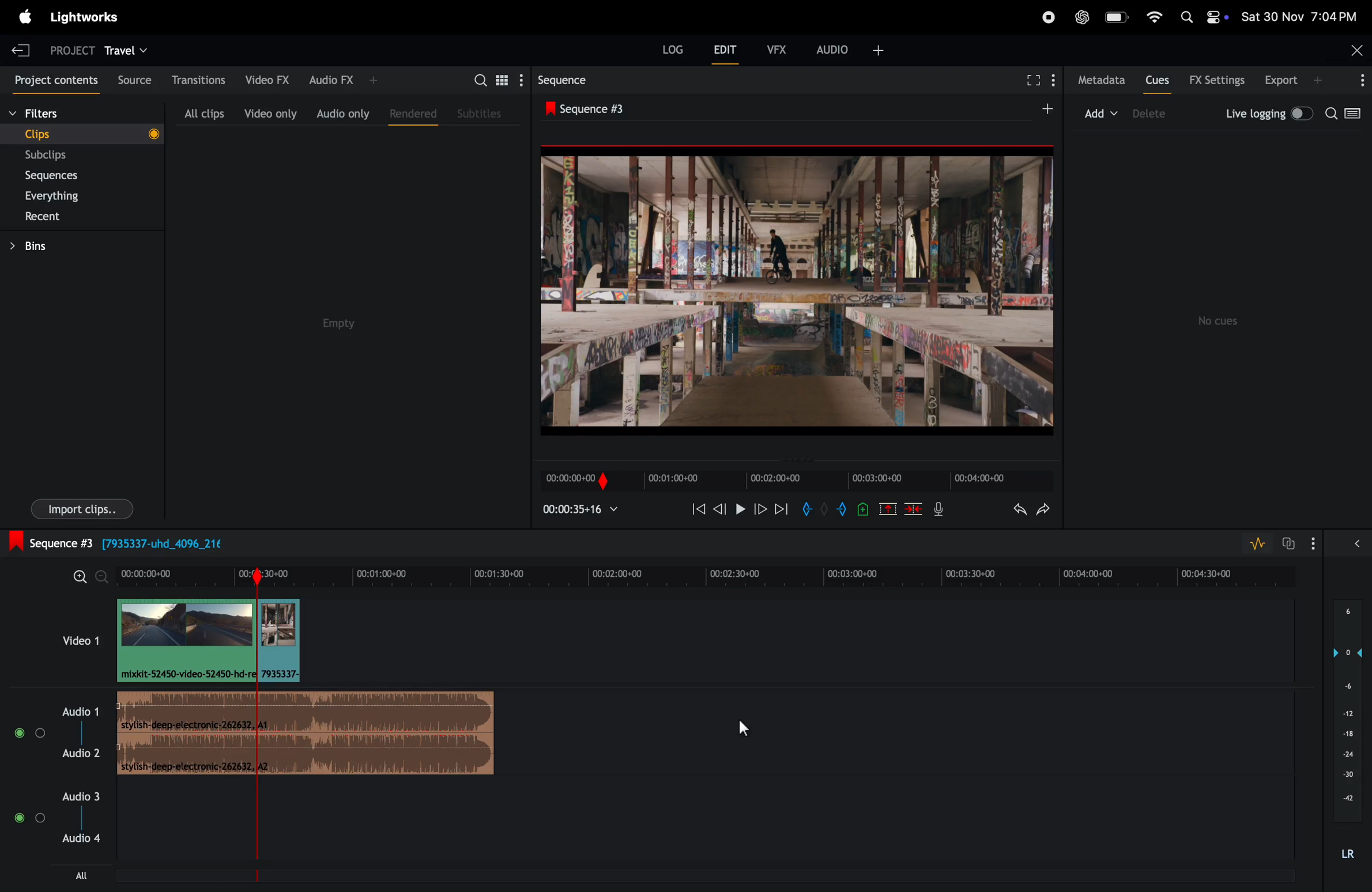 The height and width of the screenshot is (892, 1372). Describe the element at coordinates (1155, 18) in the screenshot. I see `wifi` at that location.